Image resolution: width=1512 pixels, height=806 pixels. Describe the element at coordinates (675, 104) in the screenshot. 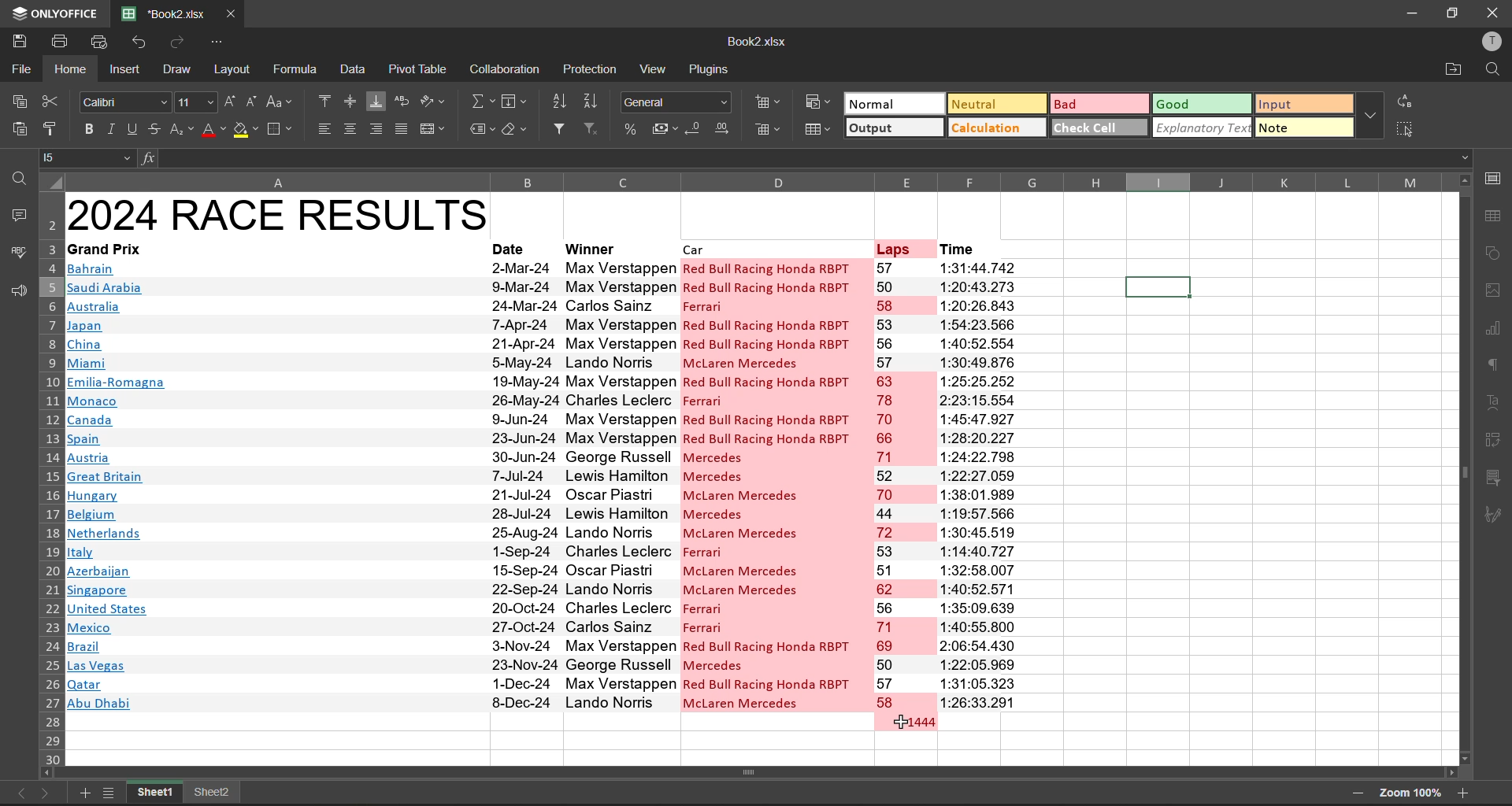

I see `number format` at that location.